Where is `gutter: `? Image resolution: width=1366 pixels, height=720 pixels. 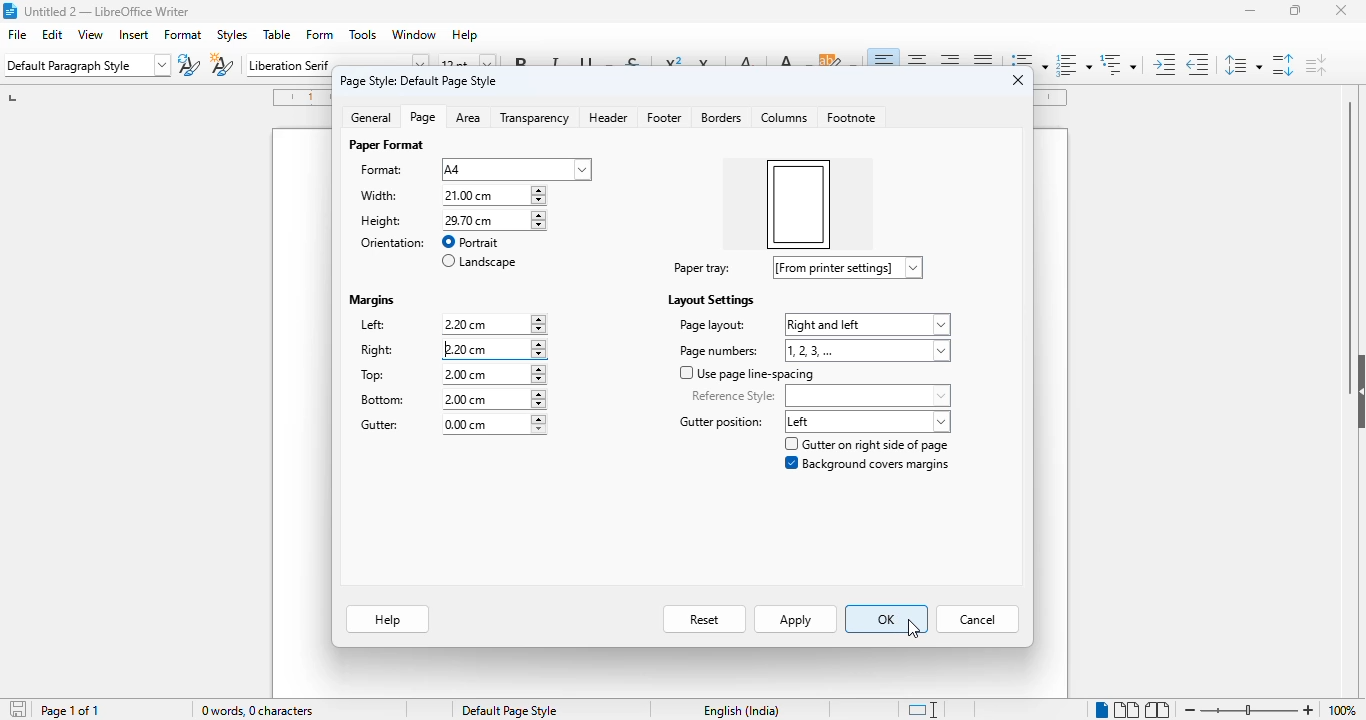 gutter:  is located at coordinates (381, 425).